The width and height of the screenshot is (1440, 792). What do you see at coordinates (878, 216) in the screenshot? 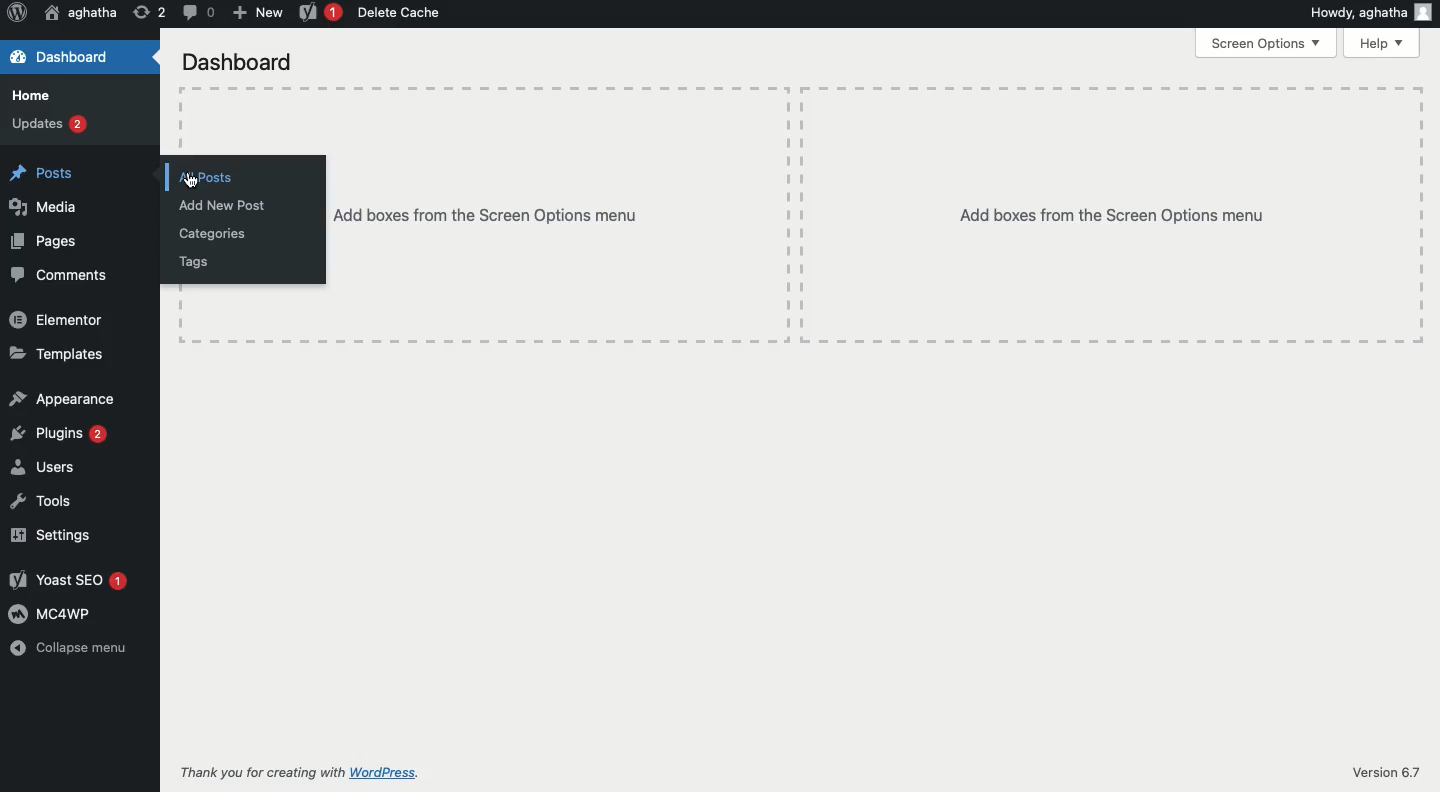
I see `Add boxes from the screen options menu` at bounding box center [878, 216].